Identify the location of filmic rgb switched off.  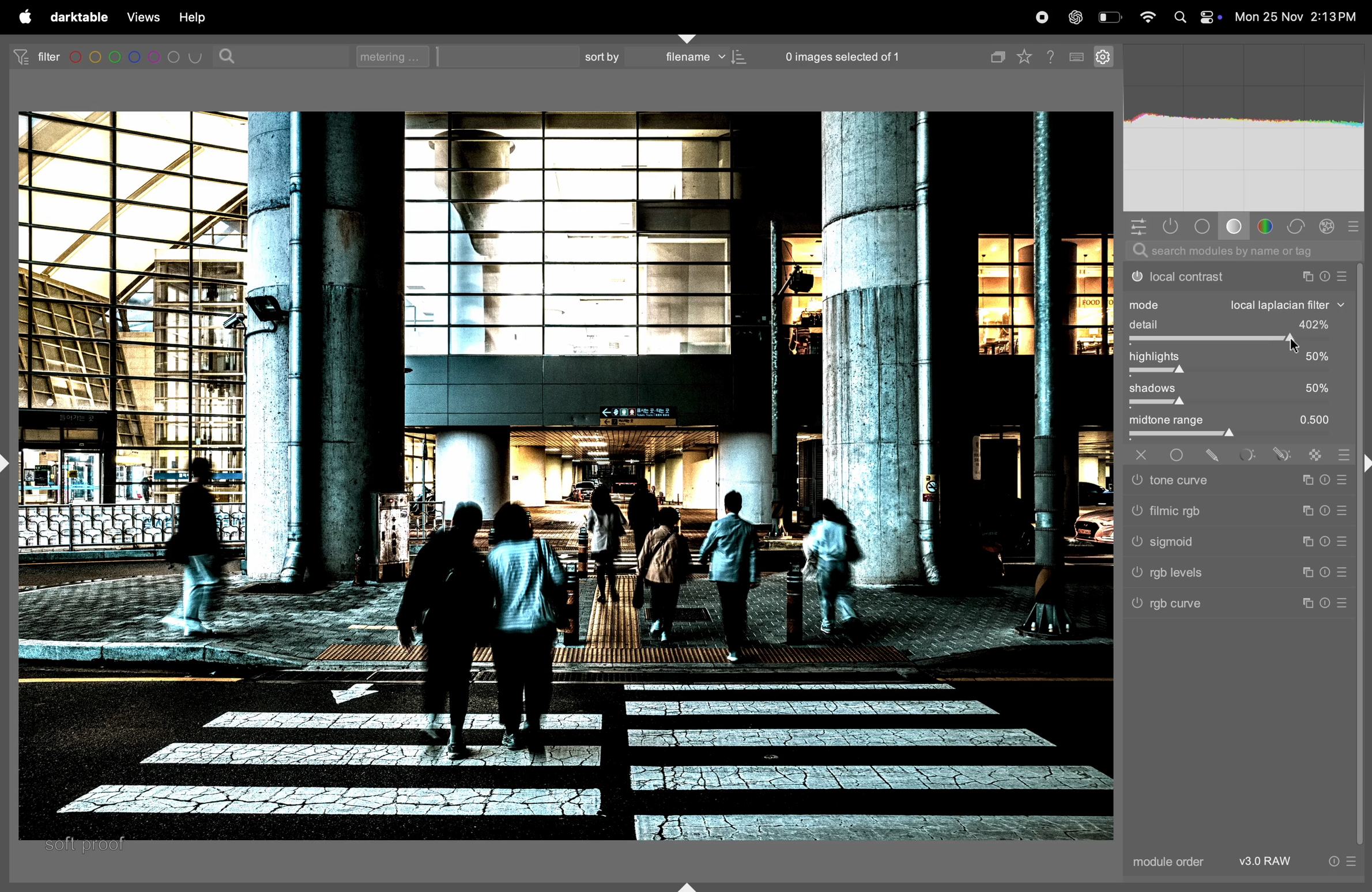
(1136, 512).